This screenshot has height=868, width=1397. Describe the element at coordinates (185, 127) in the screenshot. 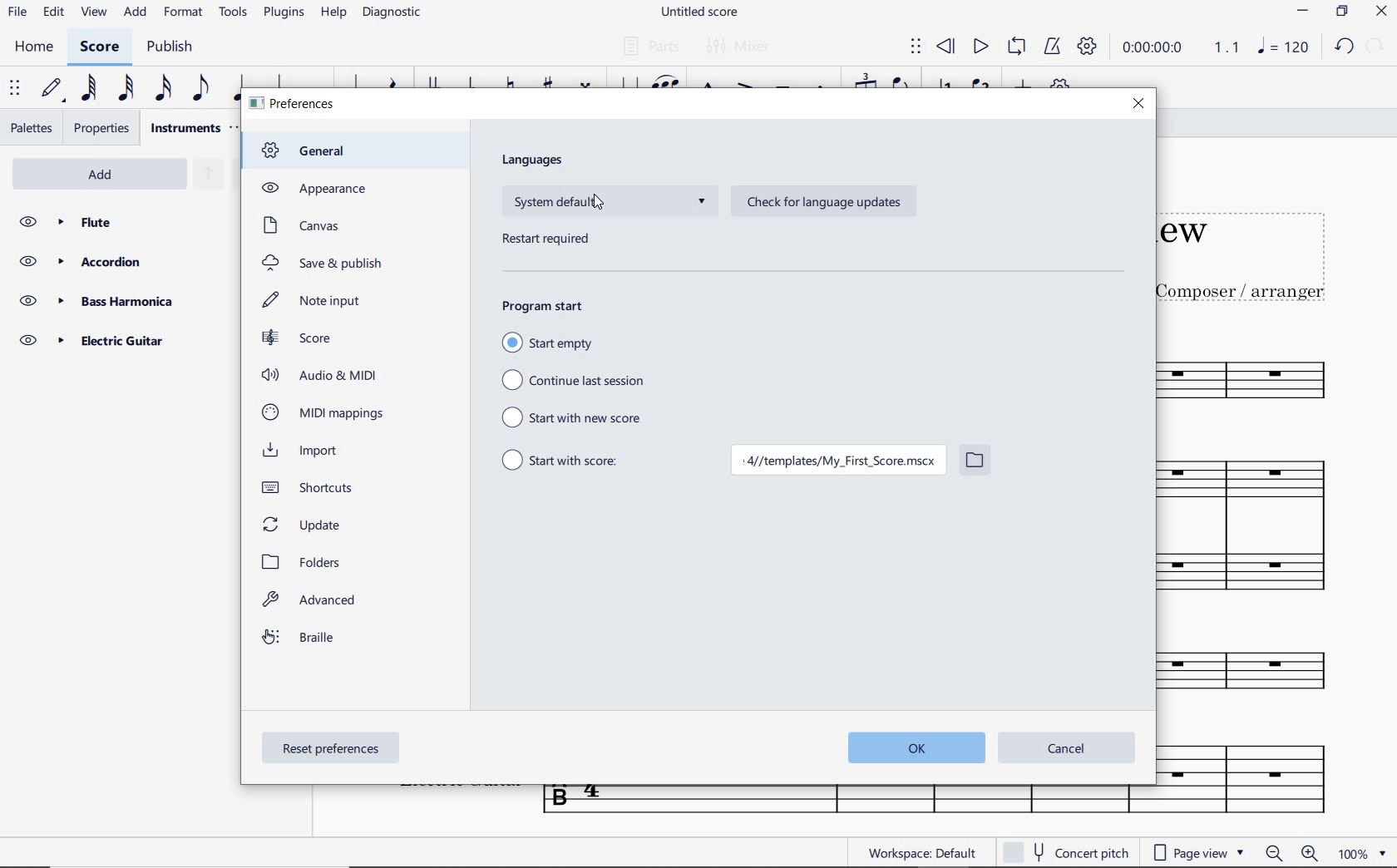

I see `instruments` at that location.